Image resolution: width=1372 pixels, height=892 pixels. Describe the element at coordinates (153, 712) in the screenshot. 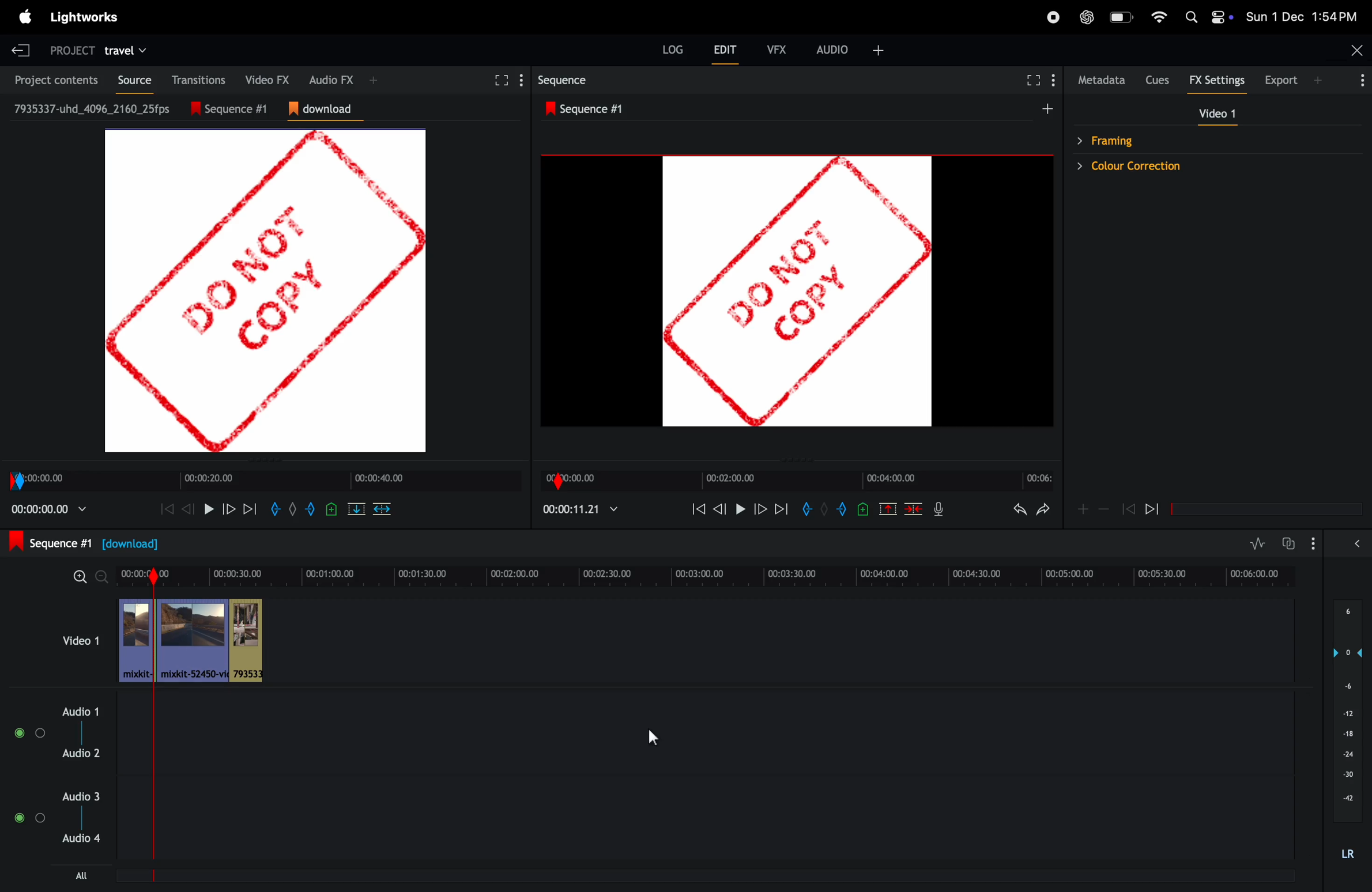

I see `Play head` at that location.